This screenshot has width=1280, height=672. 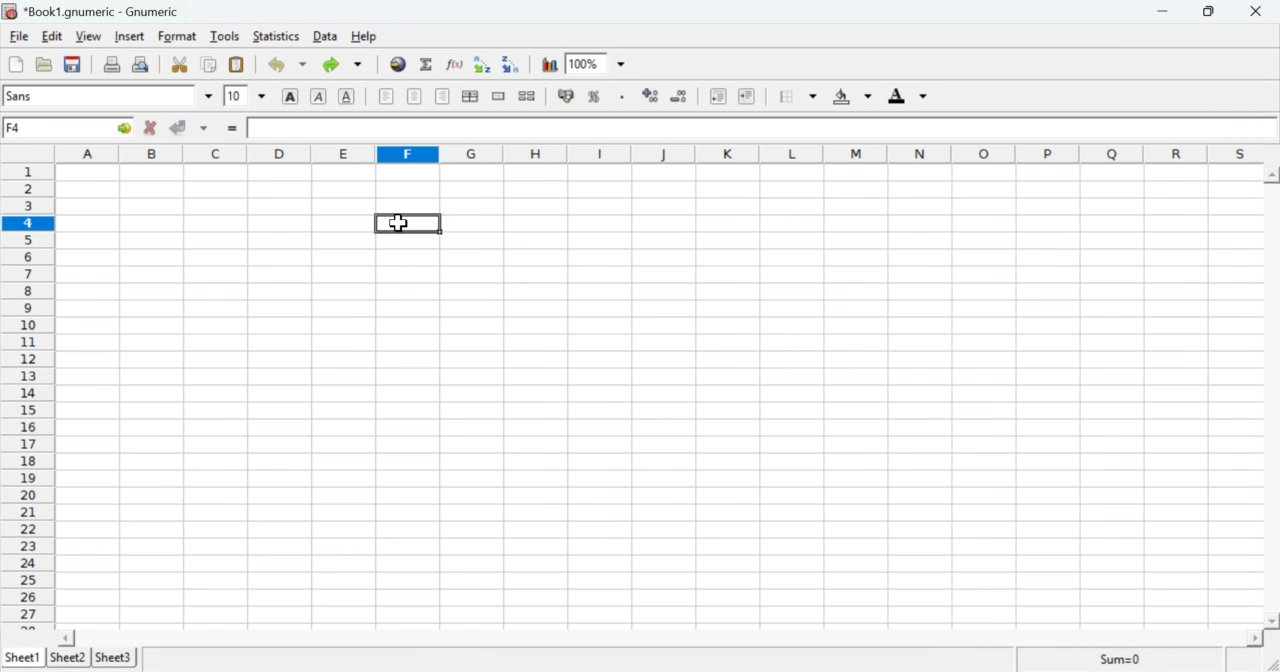 I want to click on Contents of active cell, so click(x=754, y=127).